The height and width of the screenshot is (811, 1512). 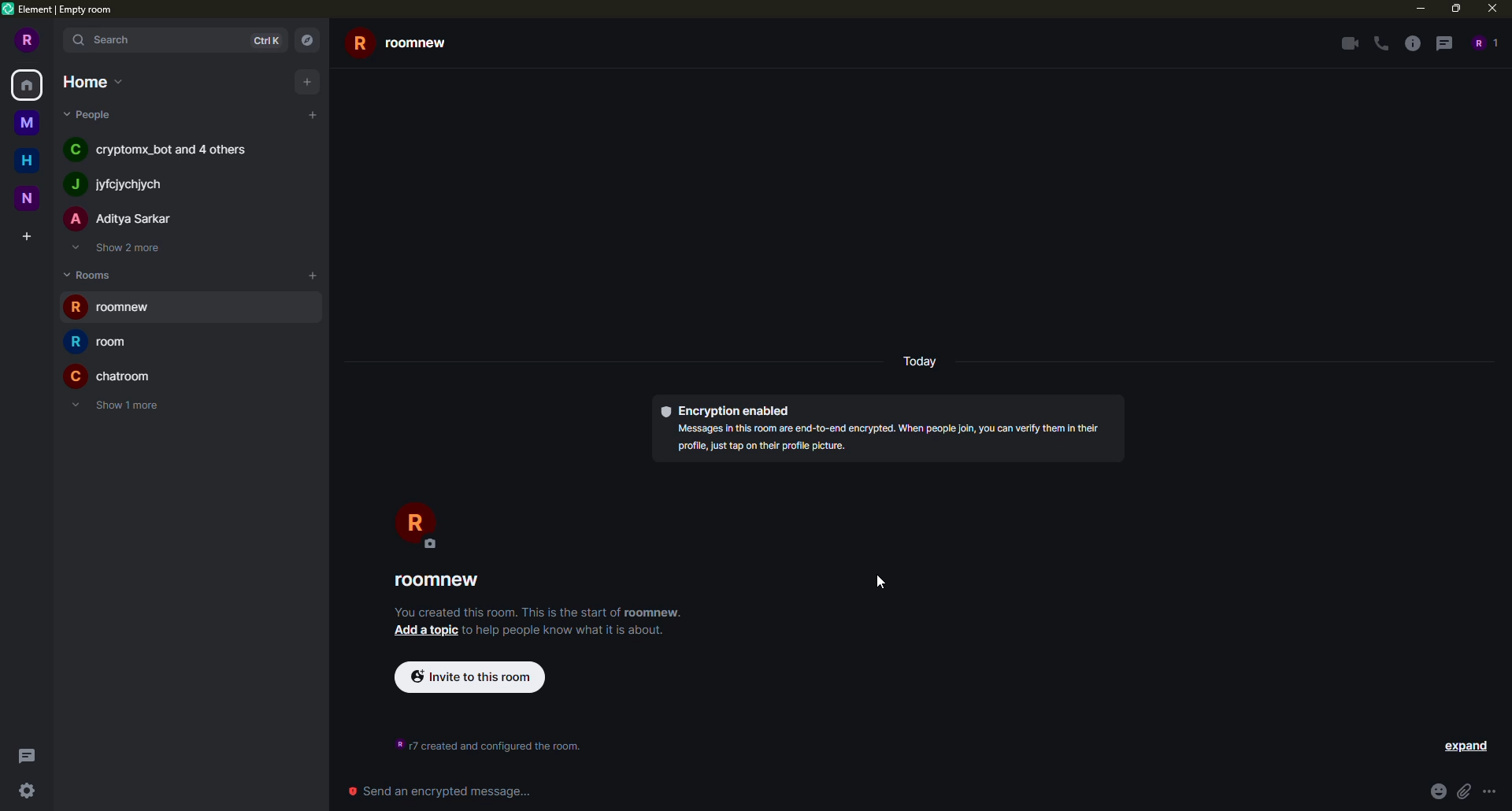 I want to click on space, so click(x=27, y=124).